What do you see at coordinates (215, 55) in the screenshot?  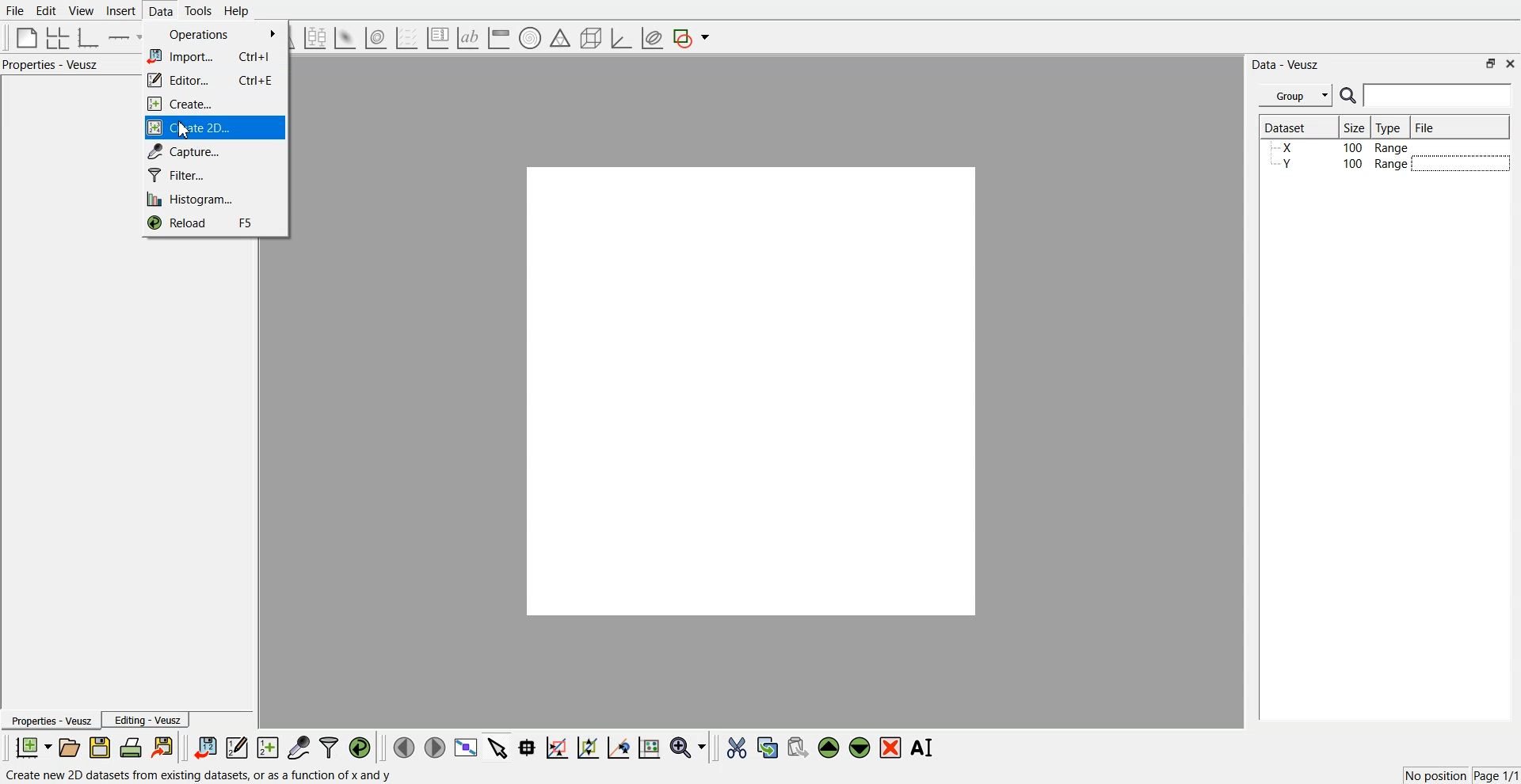 I see `Import` at bounding box center [215, 55].